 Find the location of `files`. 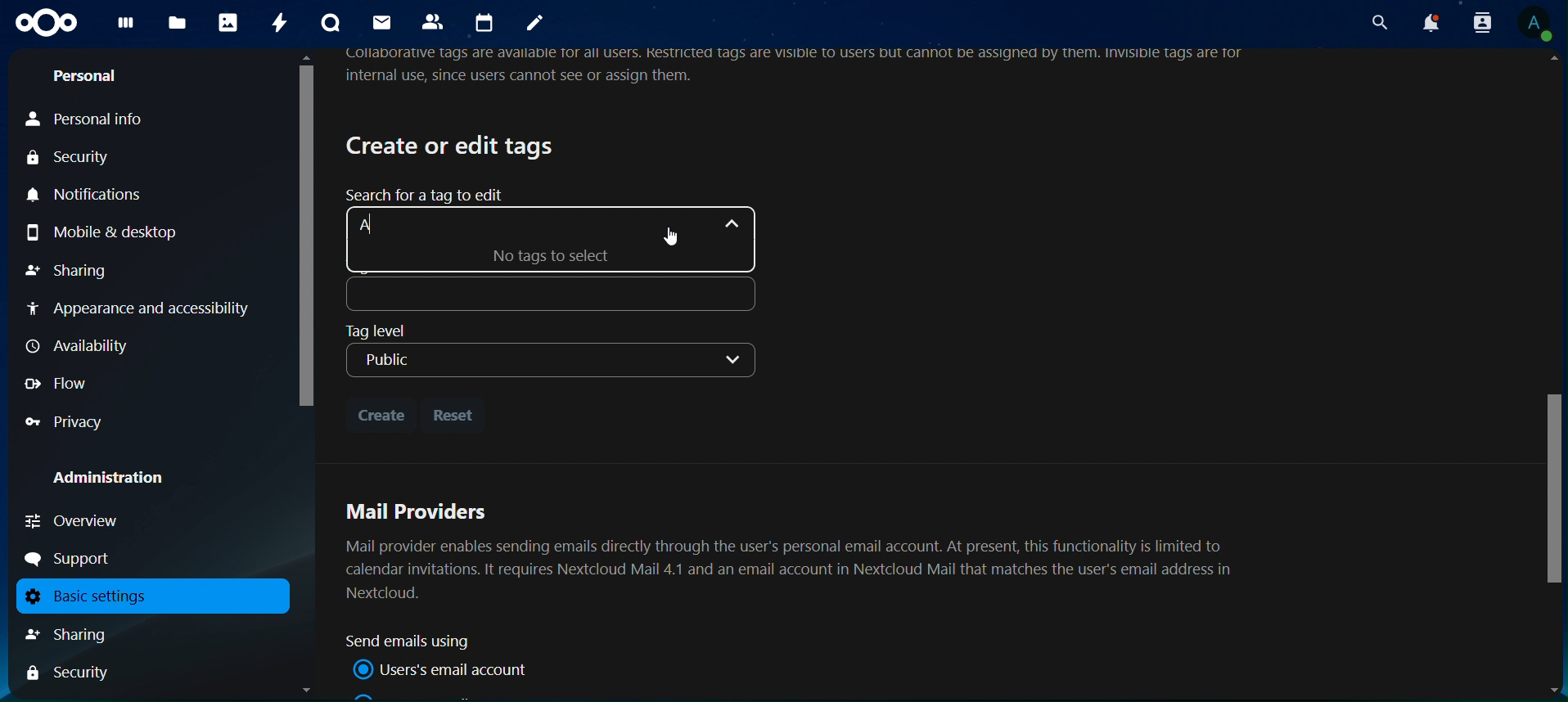

files is located at coordinates (177, 24).